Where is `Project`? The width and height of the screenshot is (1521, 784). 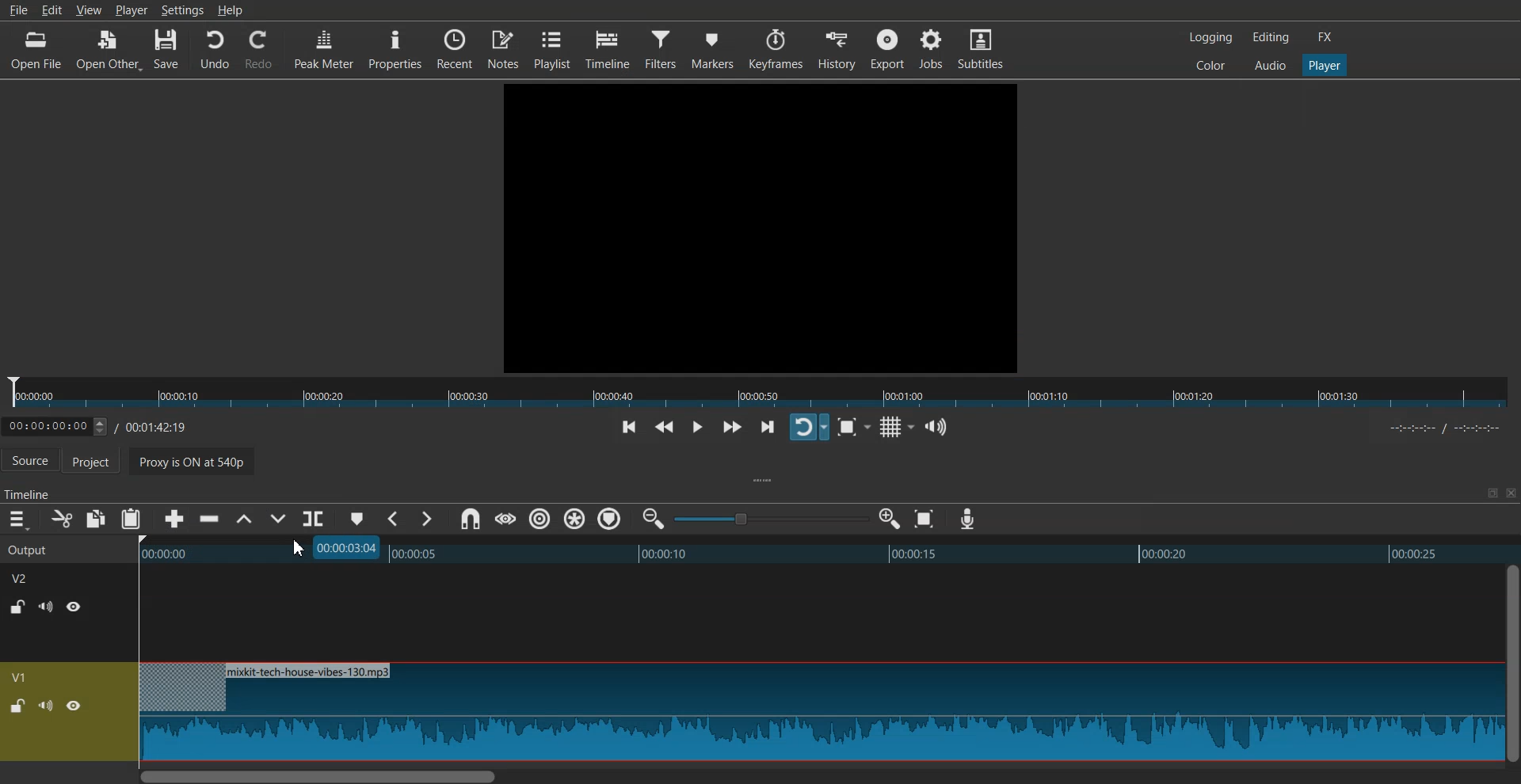 Project is located at coordinates (99, 462).